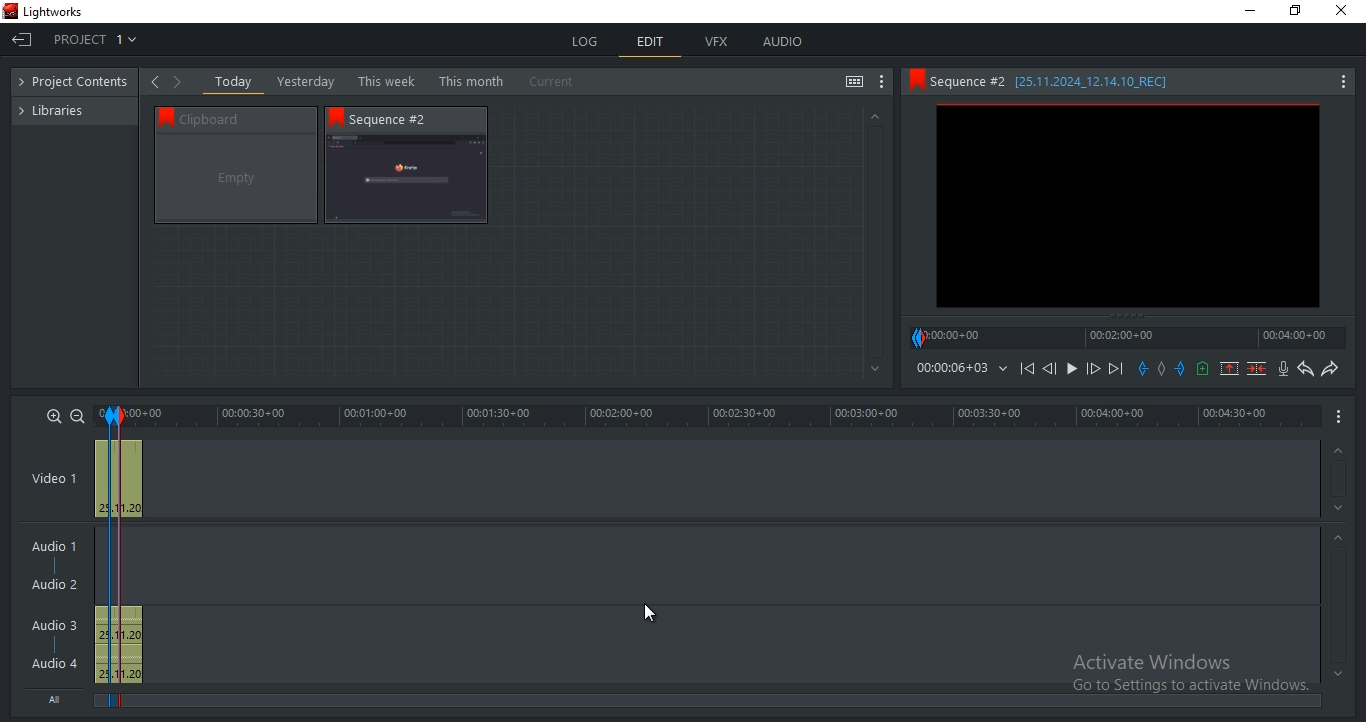 Image resolution: width=1366 pixels, height=722 pixels. I want to click on project, so click(79, 83).